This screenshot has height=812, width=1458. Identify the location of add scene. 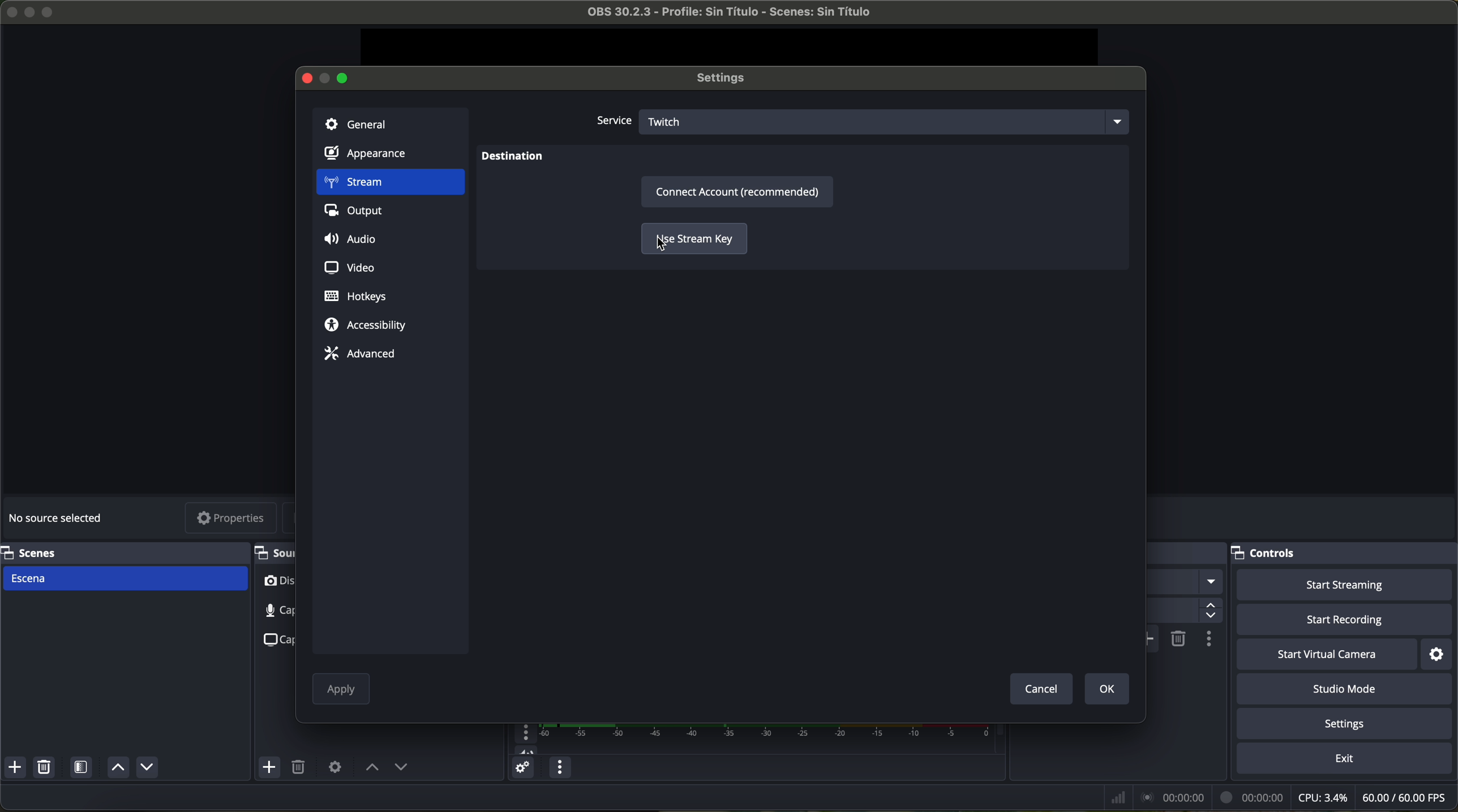
(15, 769).